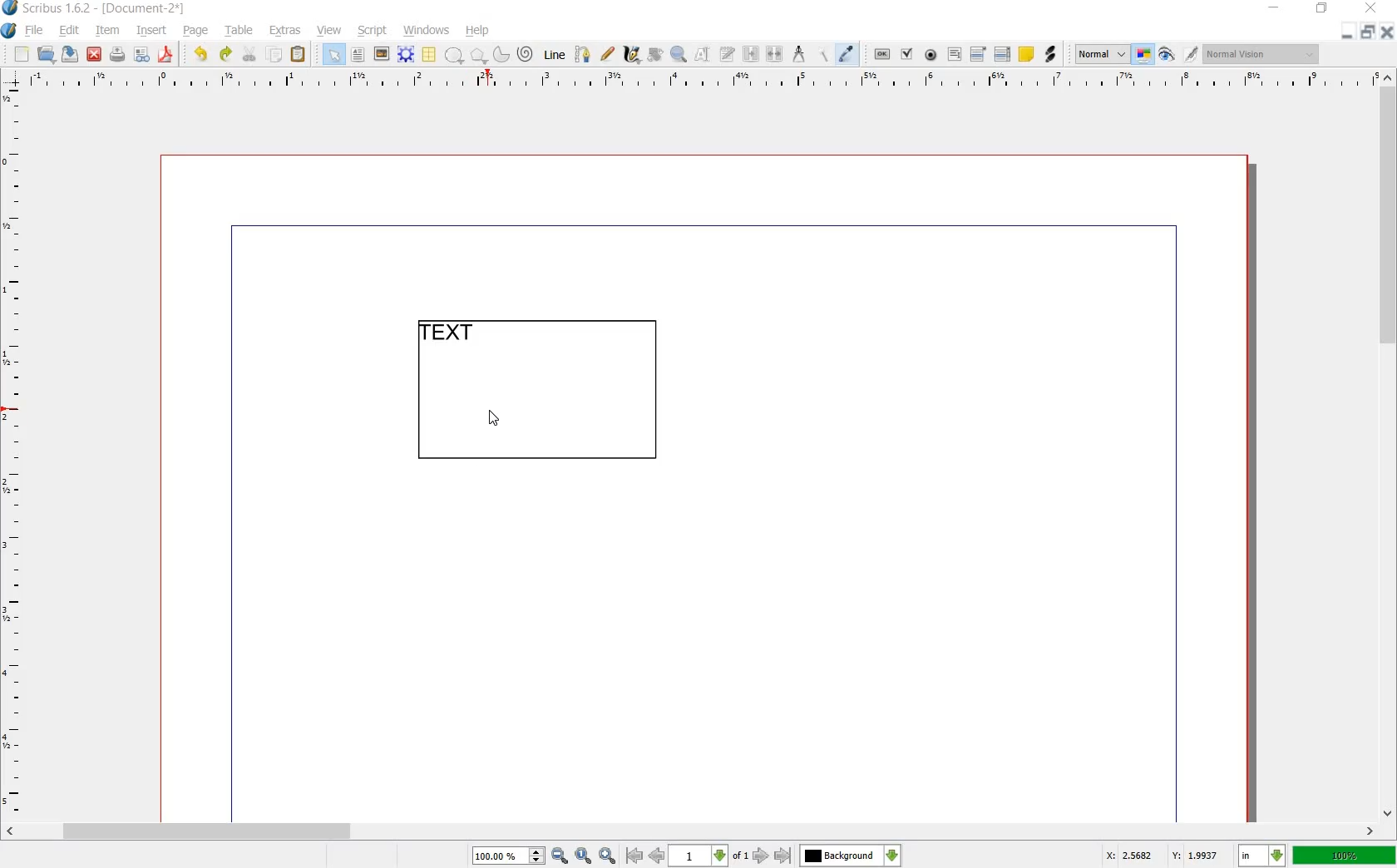  I want to click on table, so click(240, 32).